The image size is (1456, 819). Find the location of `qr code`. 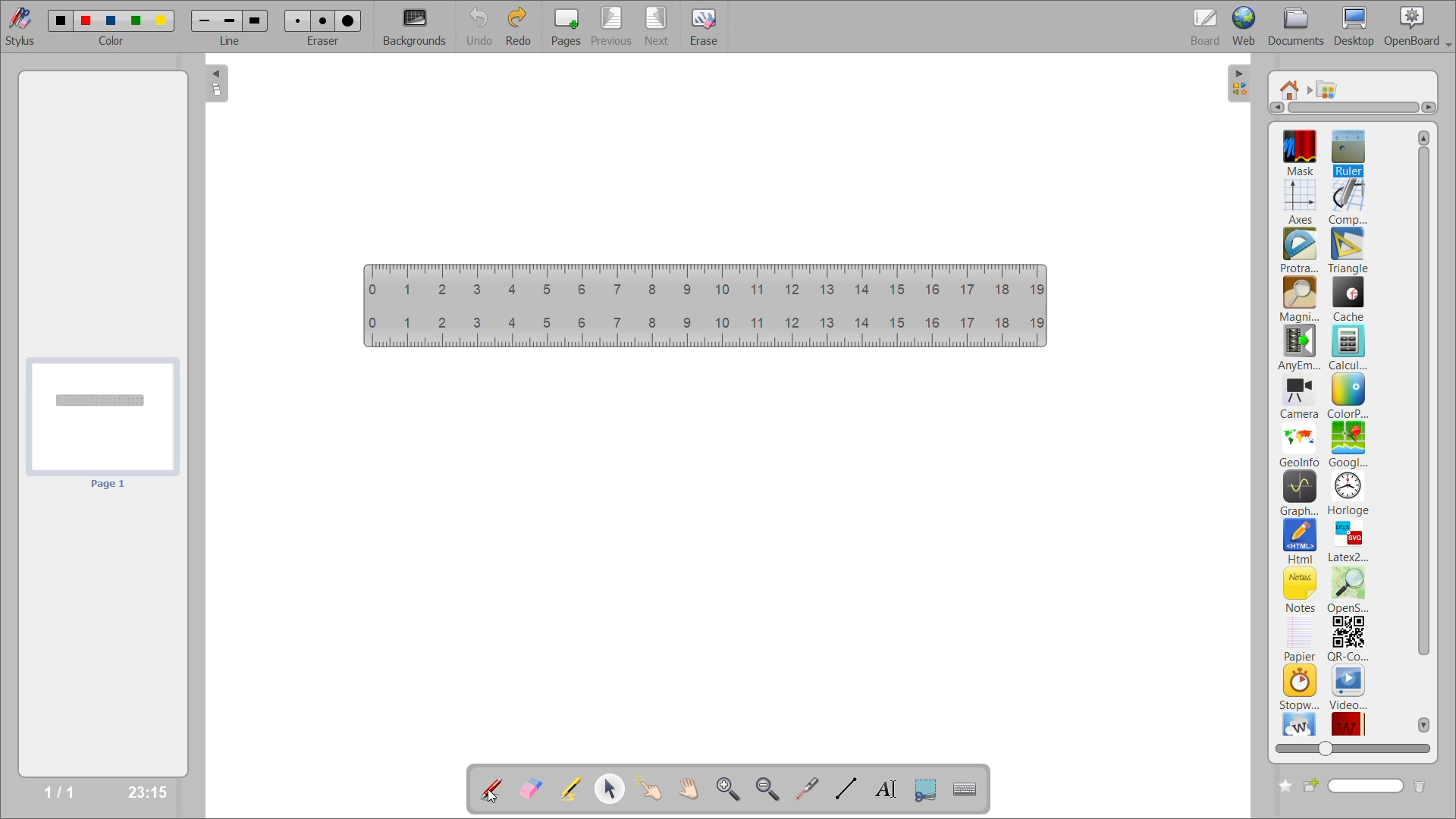

qr code is located at coordinates (1348, 639).